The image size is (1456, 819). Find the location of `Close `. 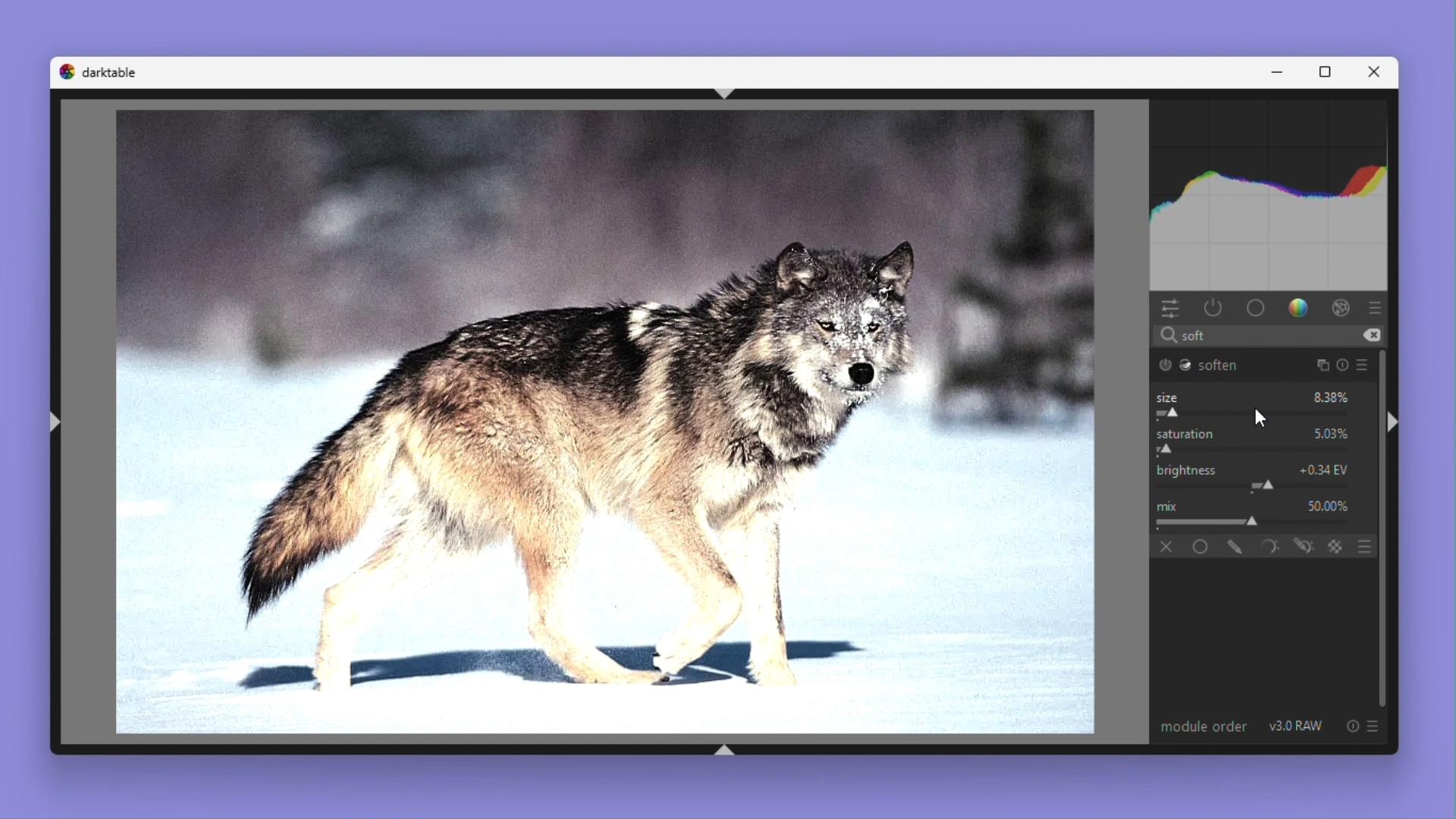

Close  is located at coordinates (1379, 71).